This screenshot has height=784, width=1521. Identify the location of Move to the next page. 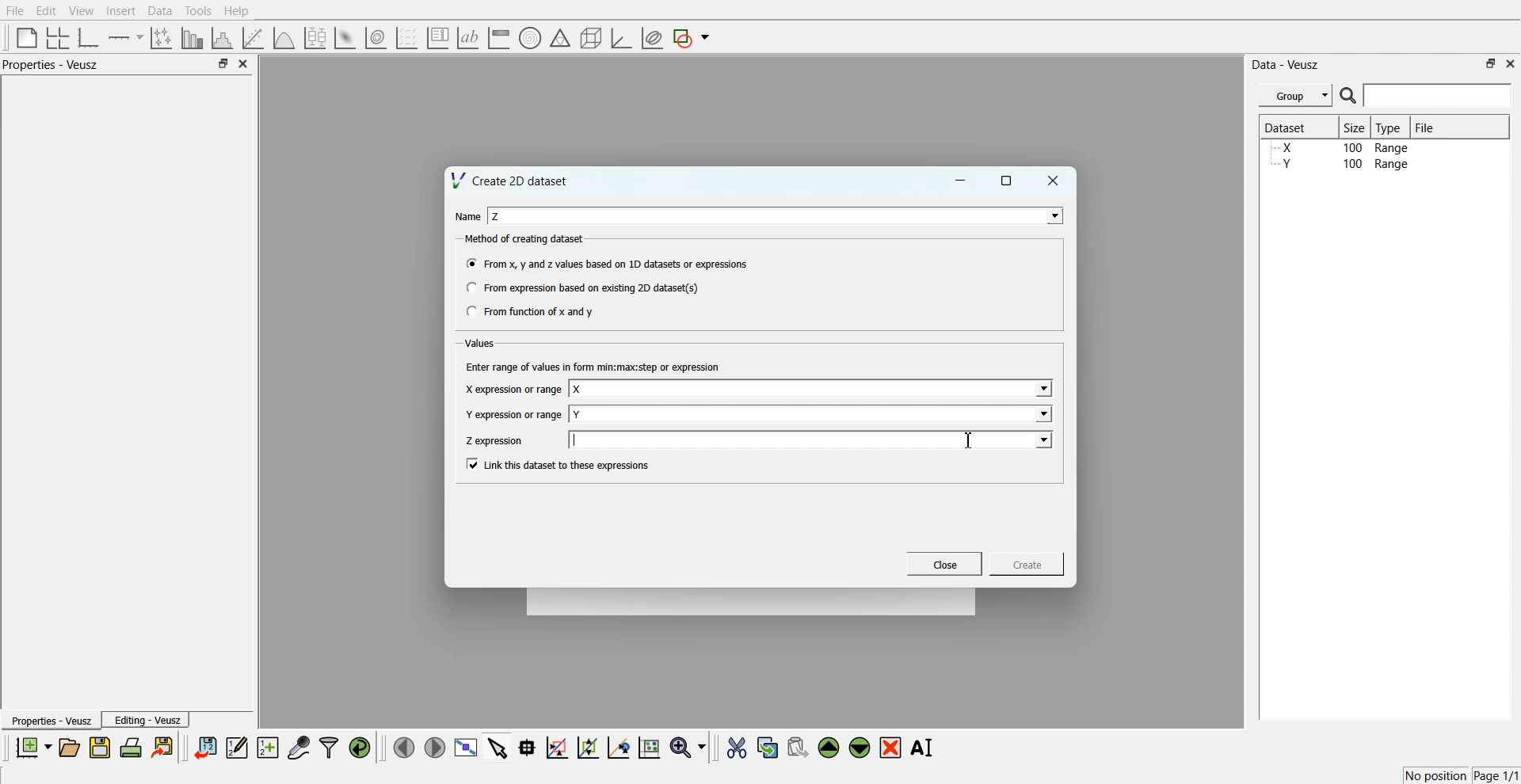
(435, 746).